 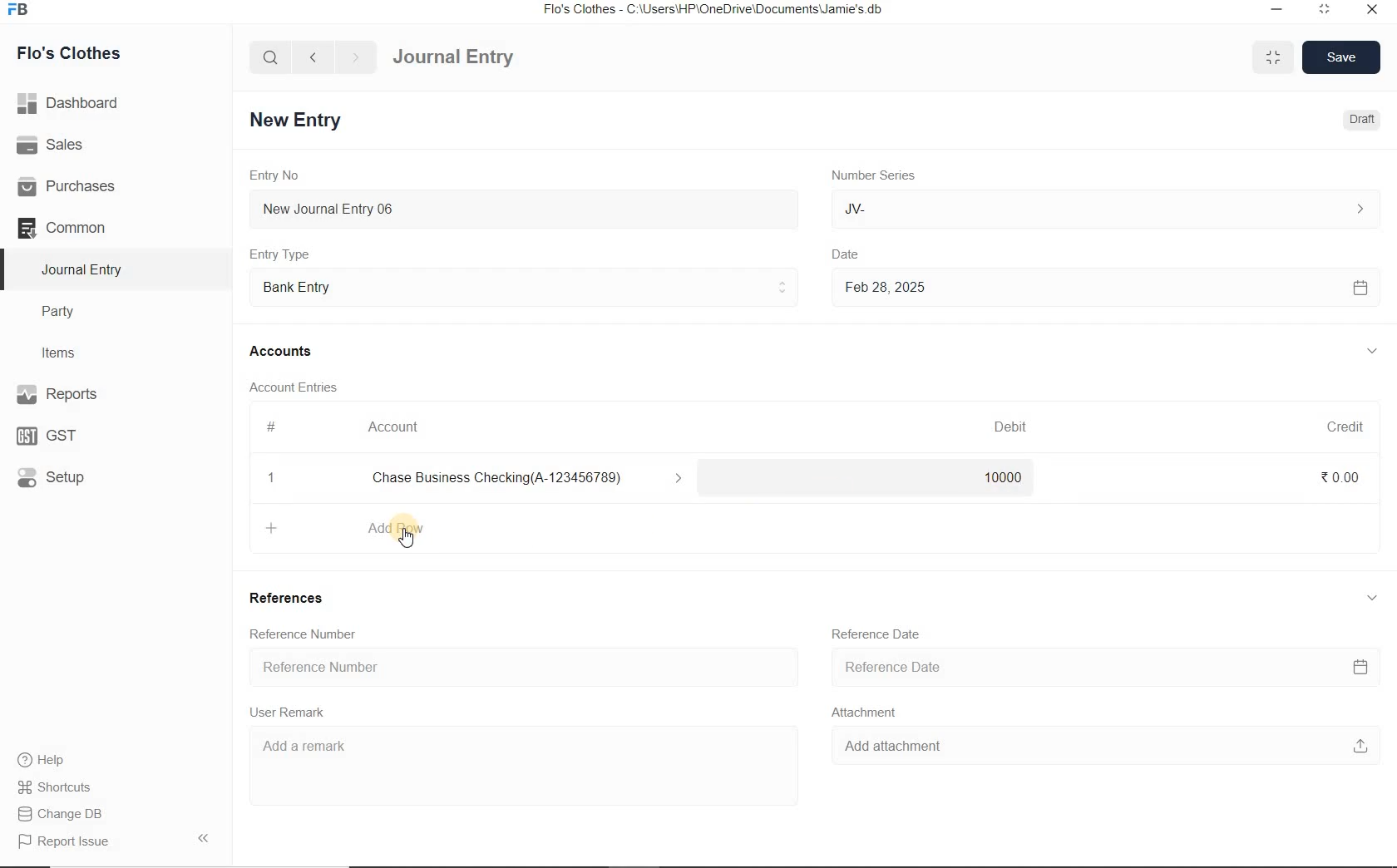 What do you see at coordinates (54, 434) in the screenshot?
I see `GST` at bounding box center [54, 434].